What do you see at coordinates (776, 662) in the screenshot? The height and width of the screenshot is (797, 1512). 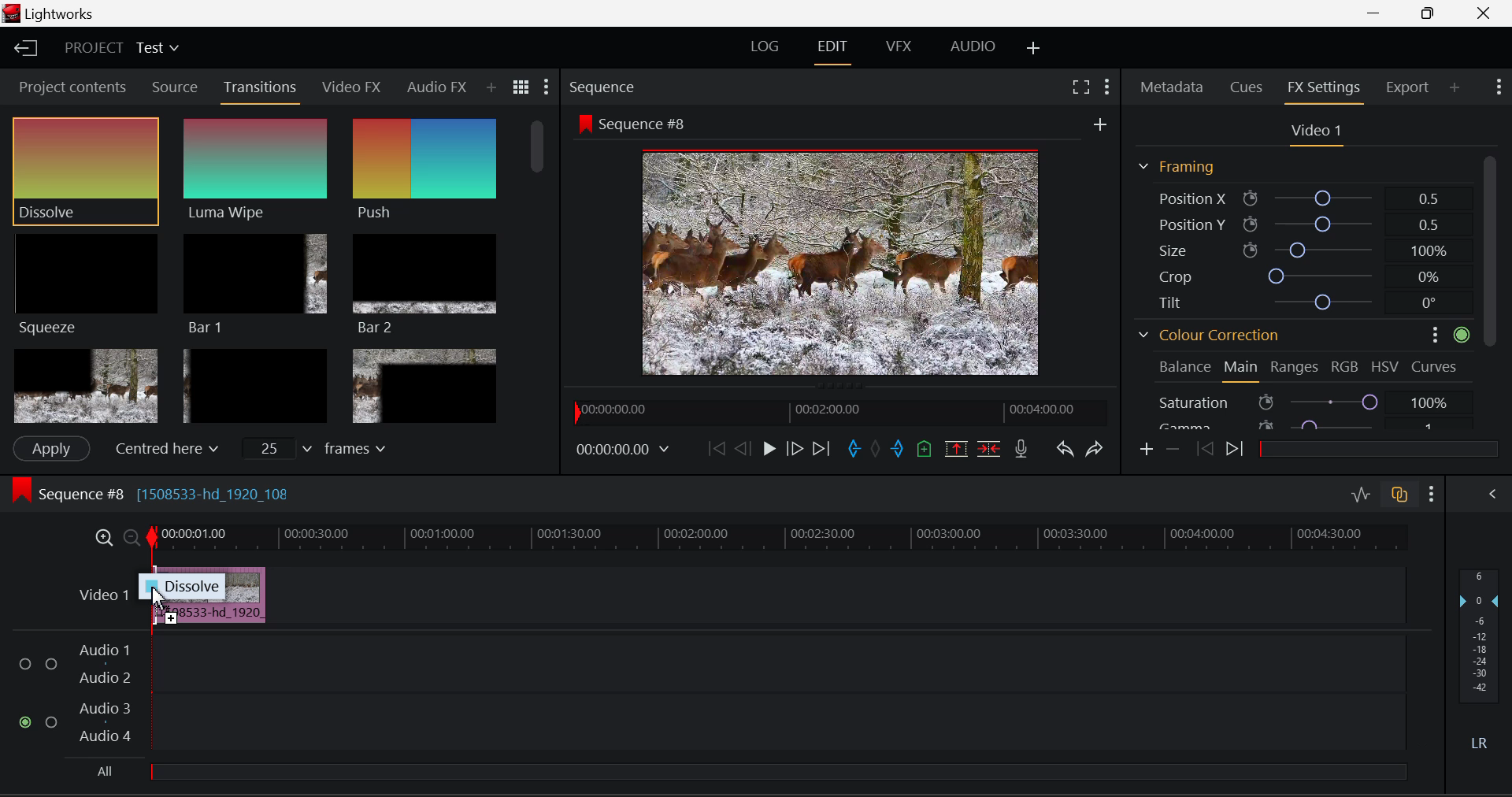 I see `Audio Input Field` at bounding box center [776, 662].